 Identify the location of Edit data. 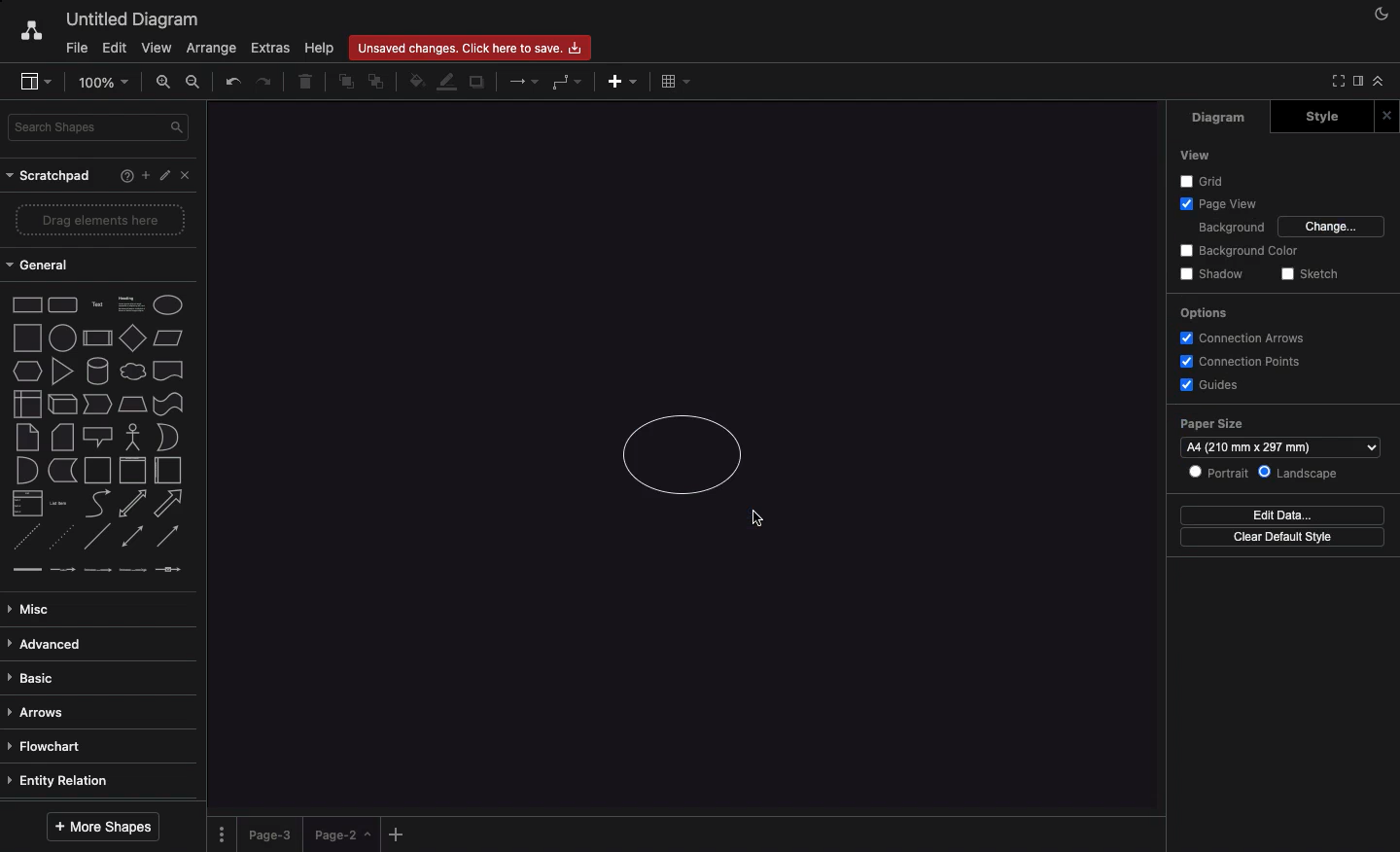
(1283, 515).